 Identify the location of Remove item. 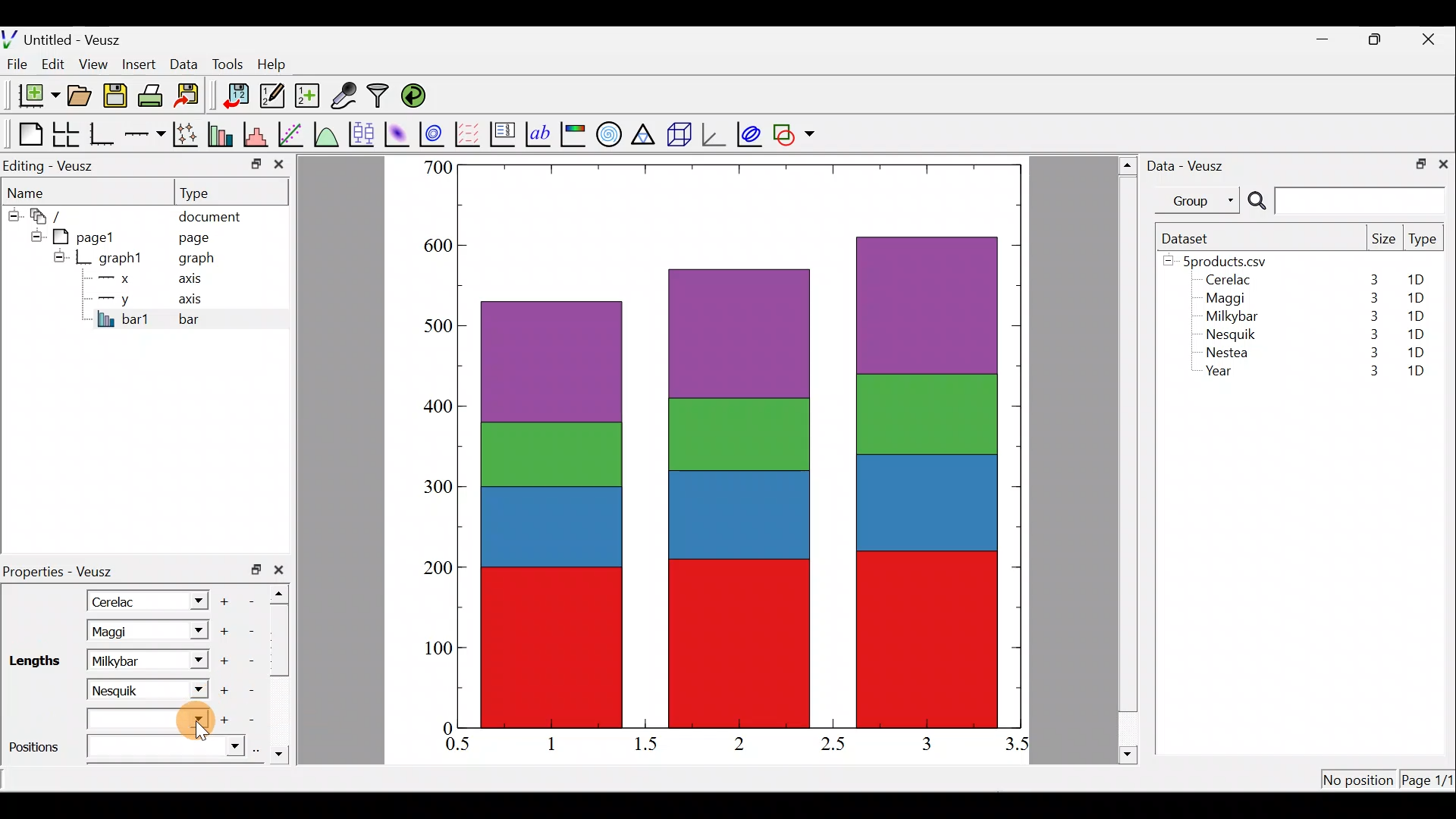
(249, 690).